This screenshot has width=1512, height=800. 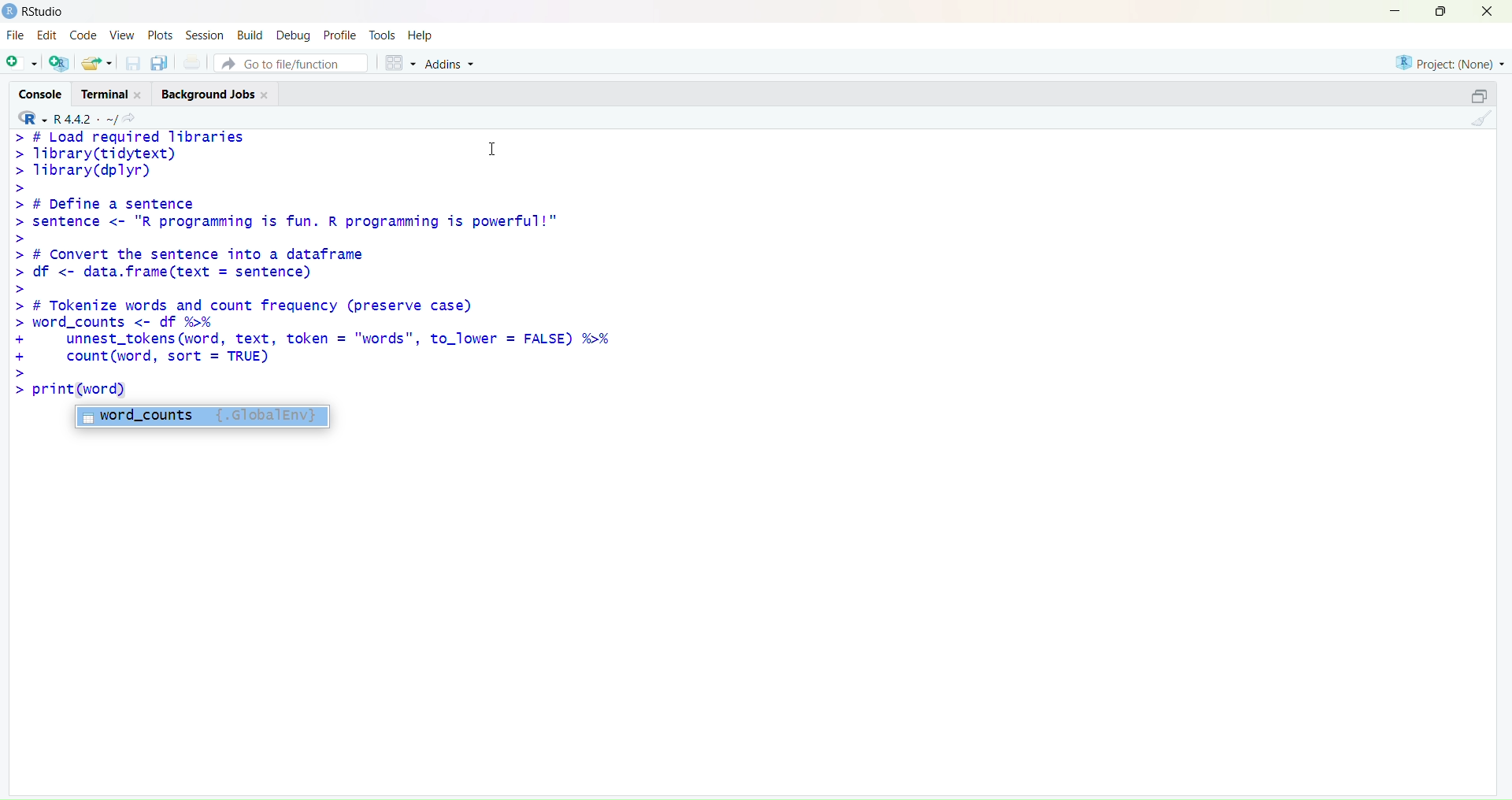 What do you see at coordinates (98, 63) in the screenshot?
I see `open an existing file` at bounding box center [98, 63].